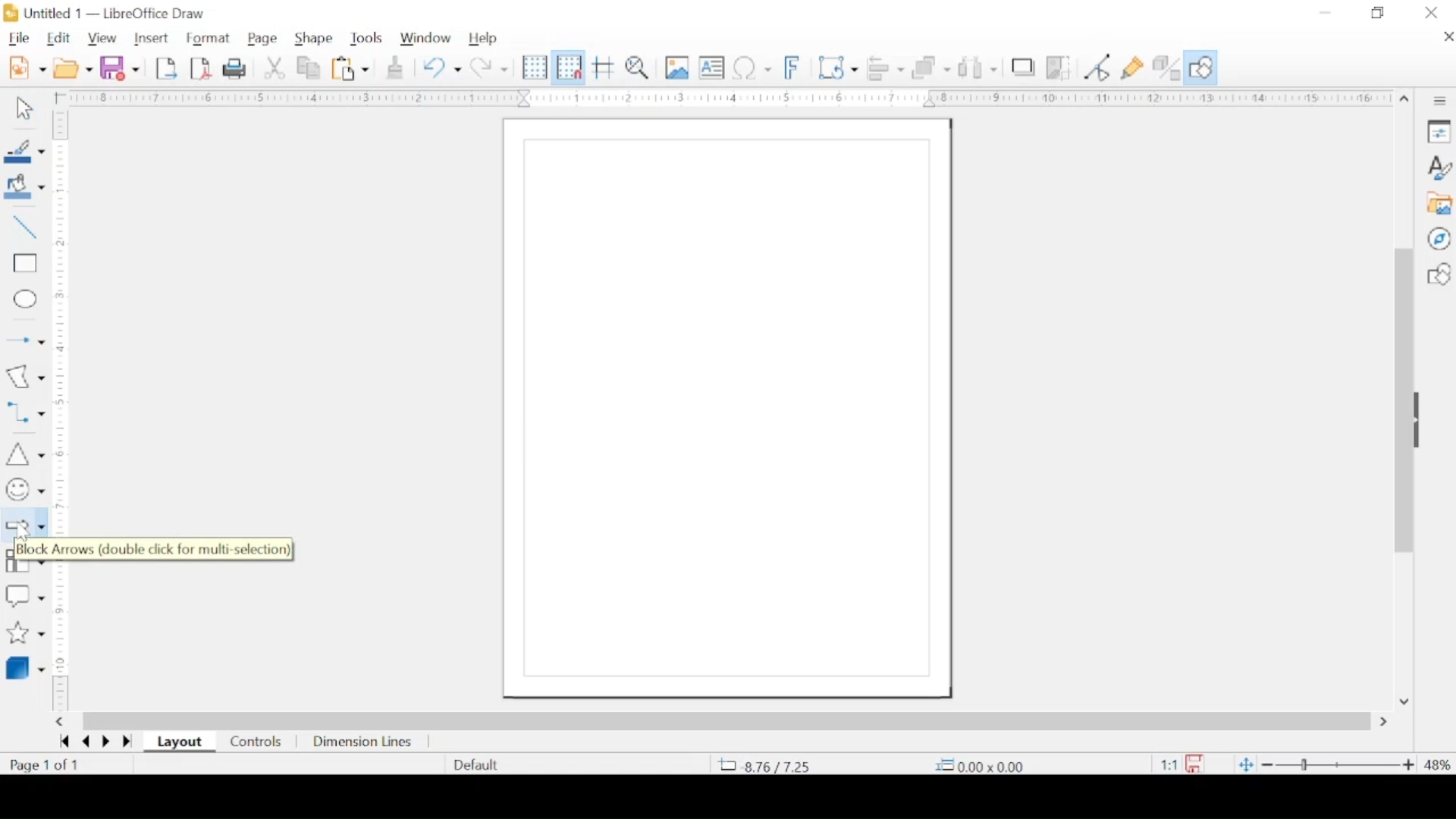 The height and width of the screenshot is (819, 1456). Describe the element at coordinates (151, 38) in the screenshot. I see `insert` at that location.